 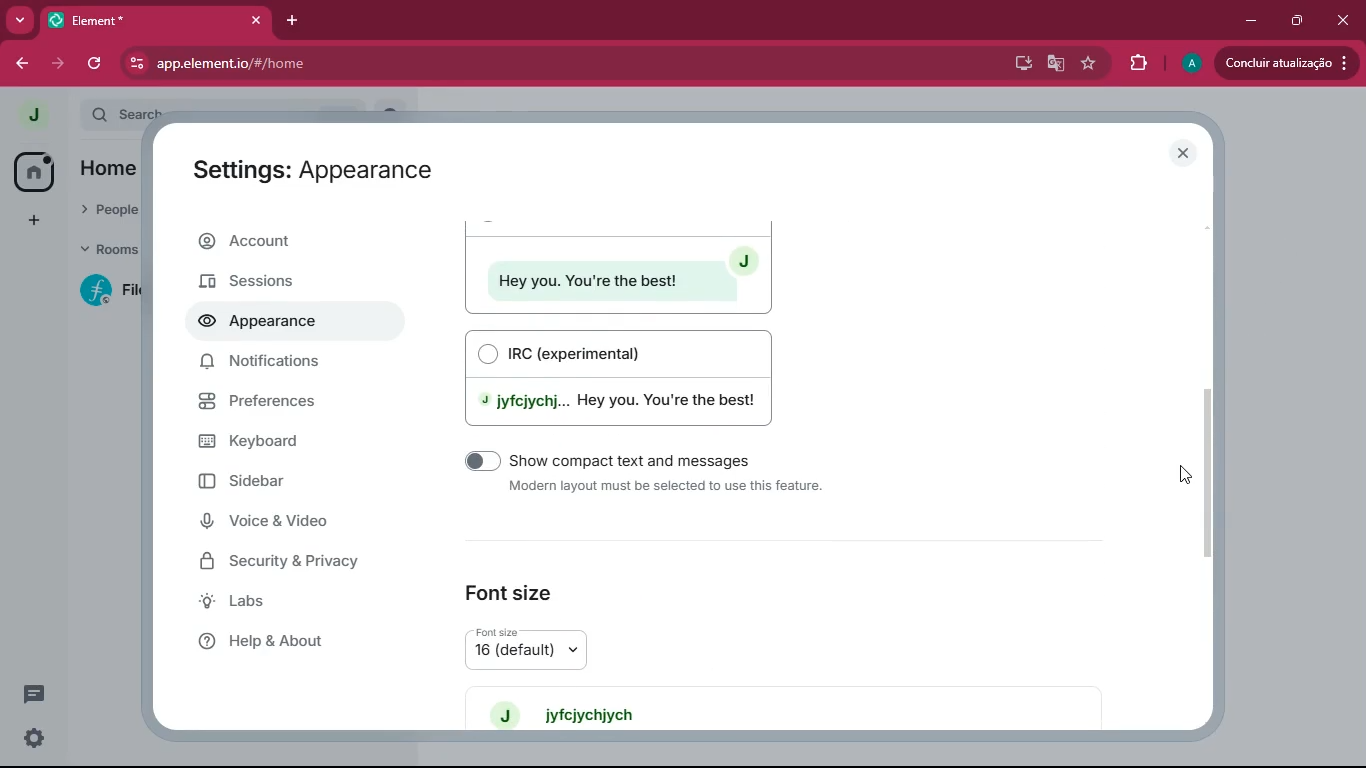 I want to click on minimize, so click(x=1247, y=22).